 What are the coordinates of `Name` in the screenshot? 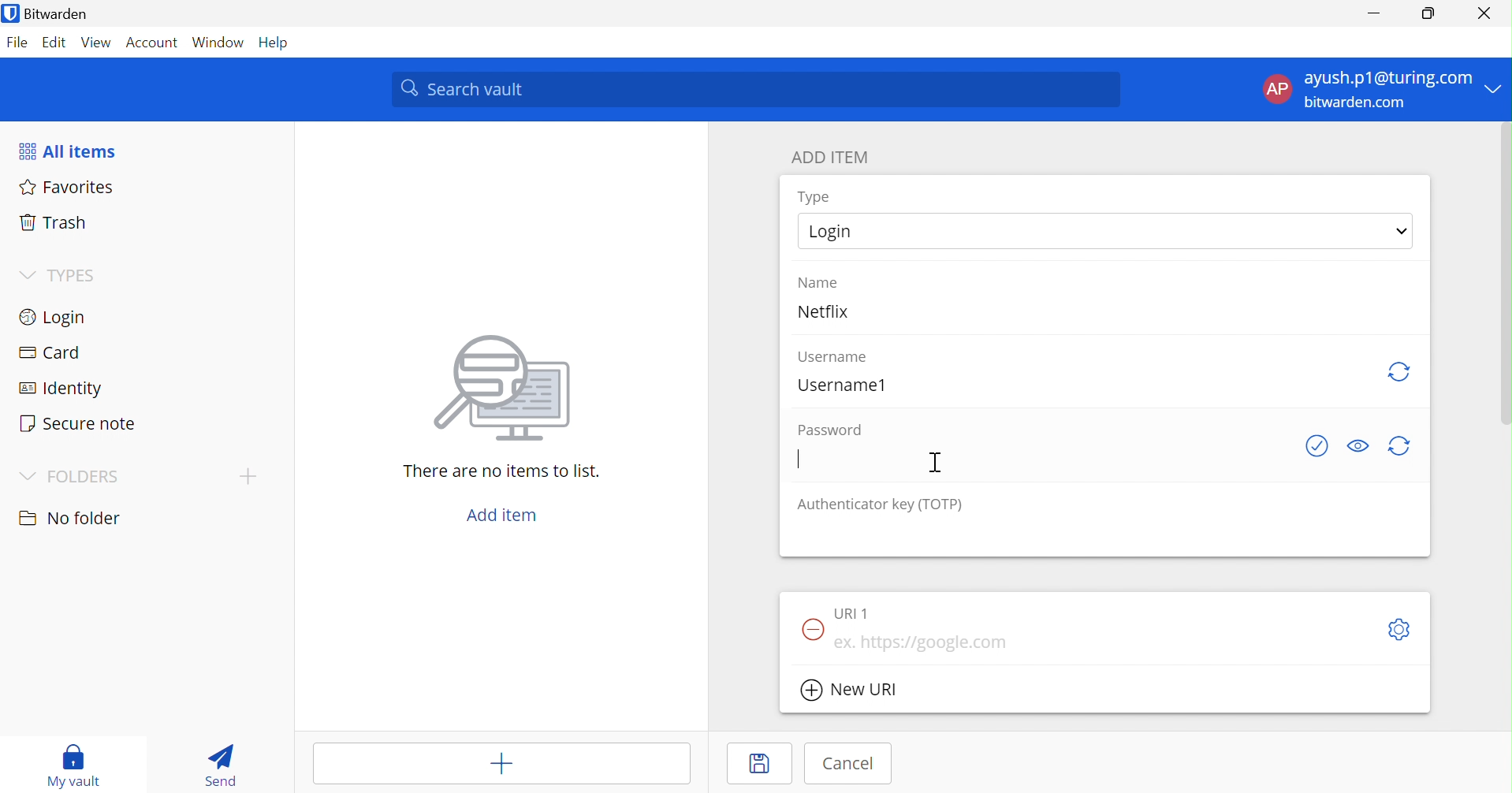 It's located at (818, 282).